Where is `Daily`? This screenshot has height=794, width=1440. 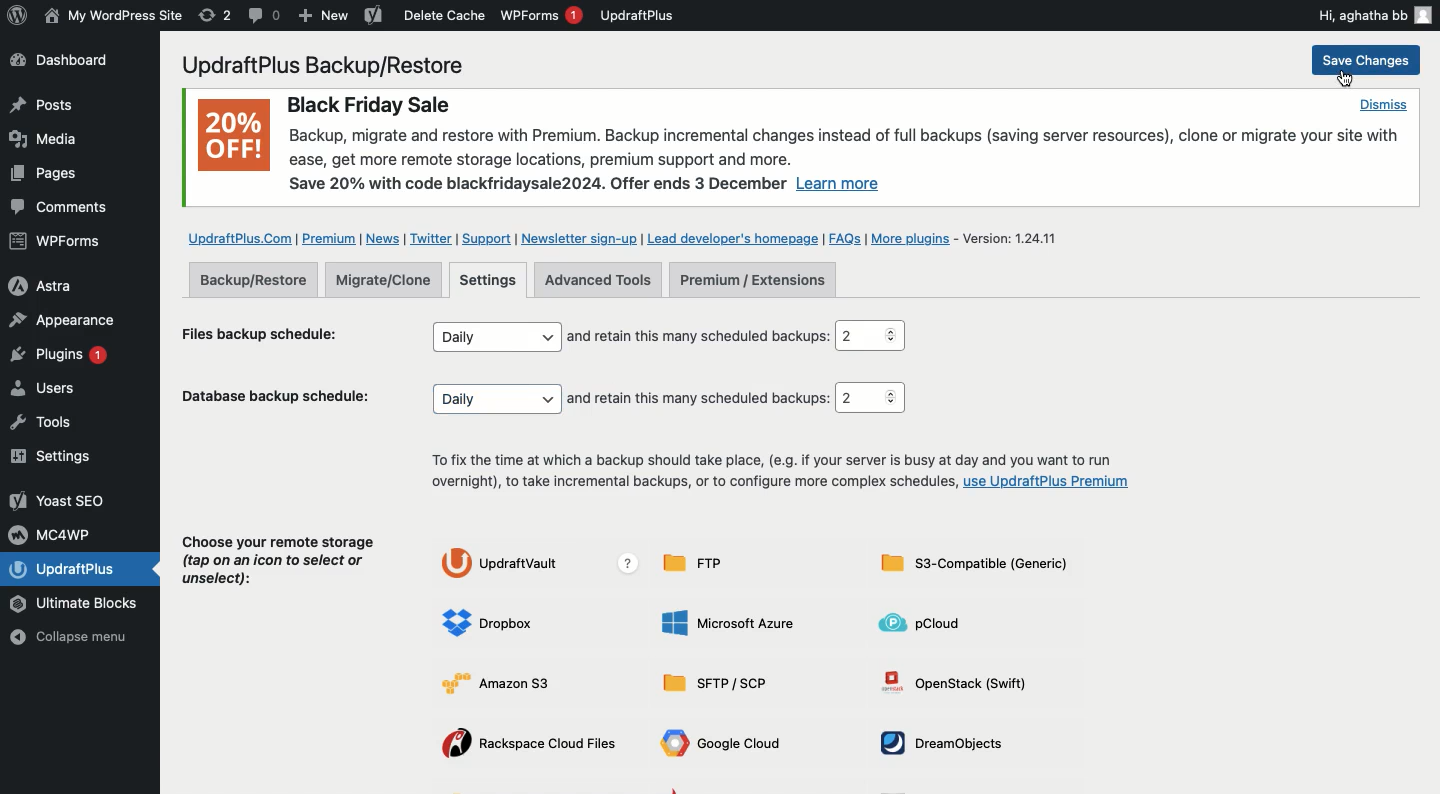
Daily is located at coordinates (498, 399).